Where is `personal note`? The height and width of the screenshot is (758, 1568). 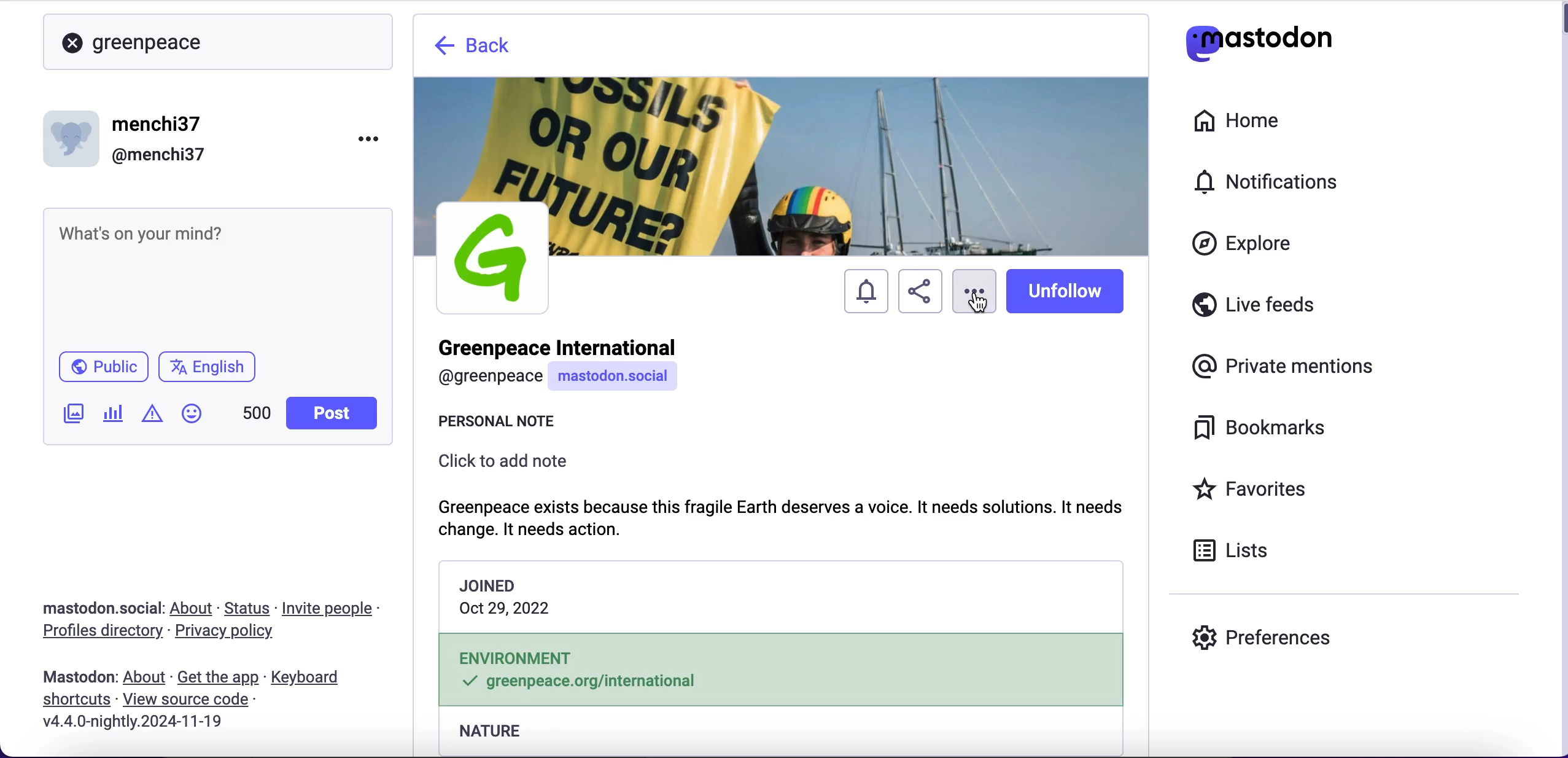
personal note is located at coordinates (521, 424).